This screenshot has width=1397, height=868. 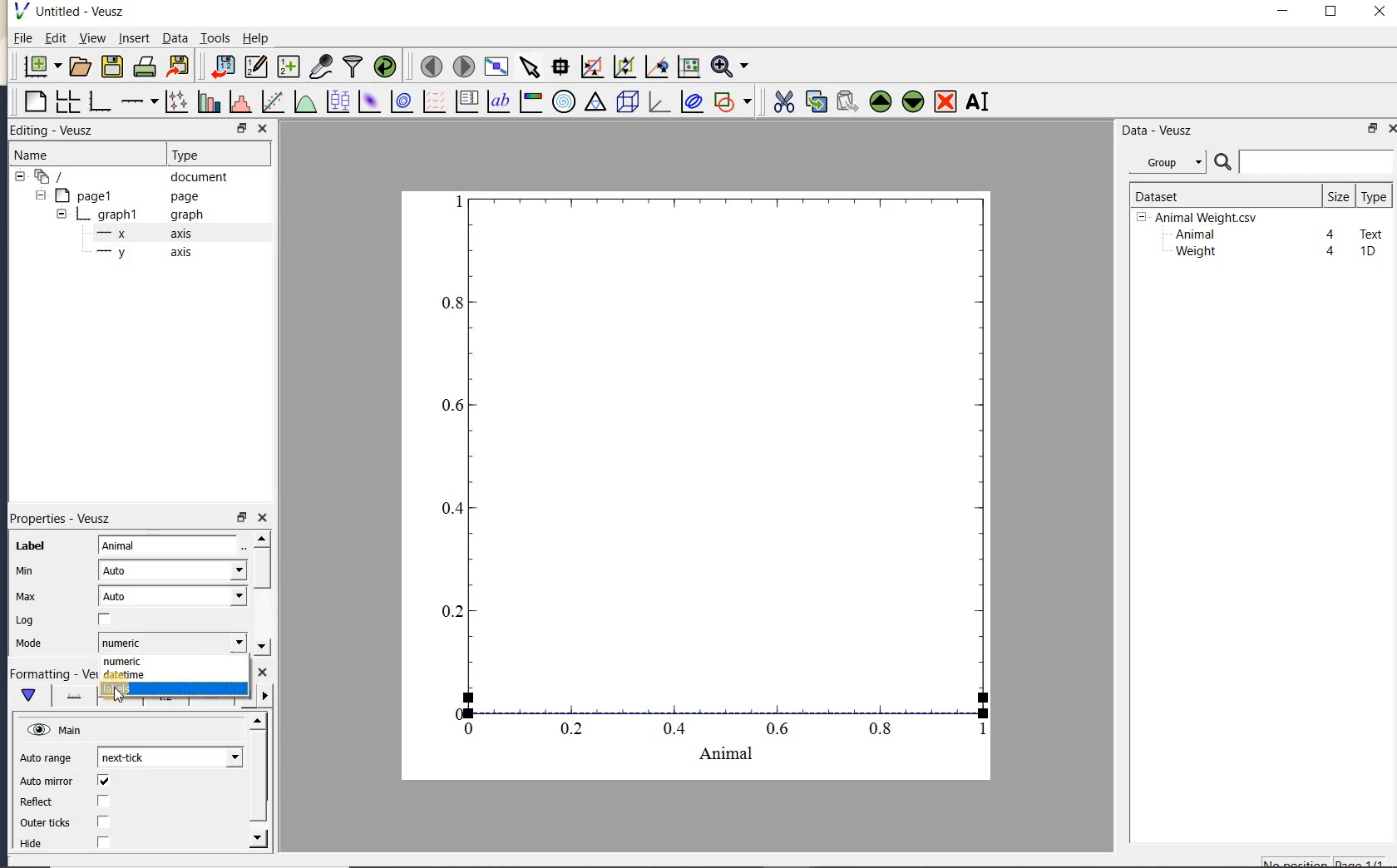 I want to click on scrollbar, so click(x=260, y=593).